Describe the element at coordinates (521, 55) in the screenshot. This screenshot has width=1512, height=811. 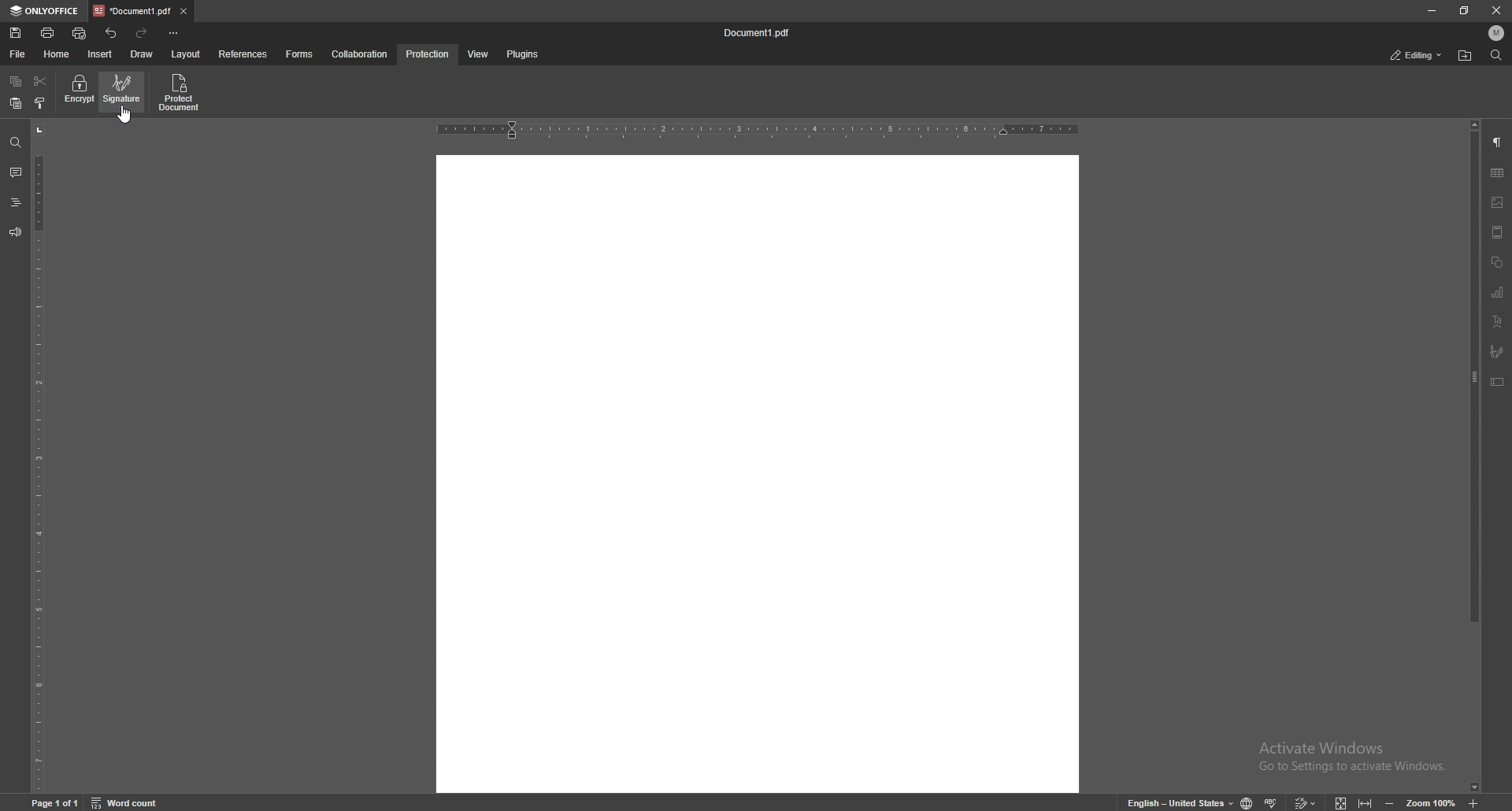
I see `plugins` at that location.